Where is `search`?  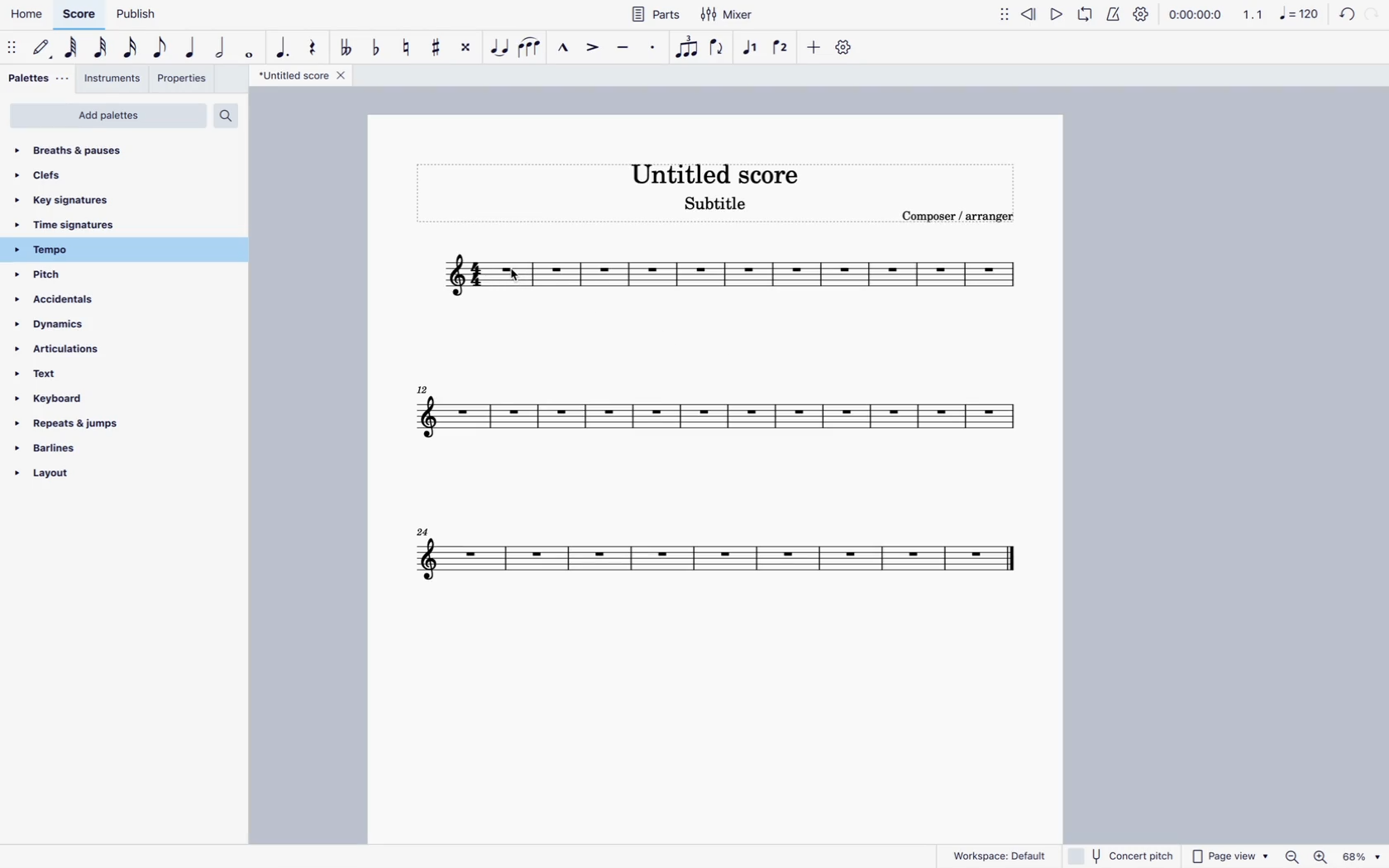 search is located at coordinates (231, 117).